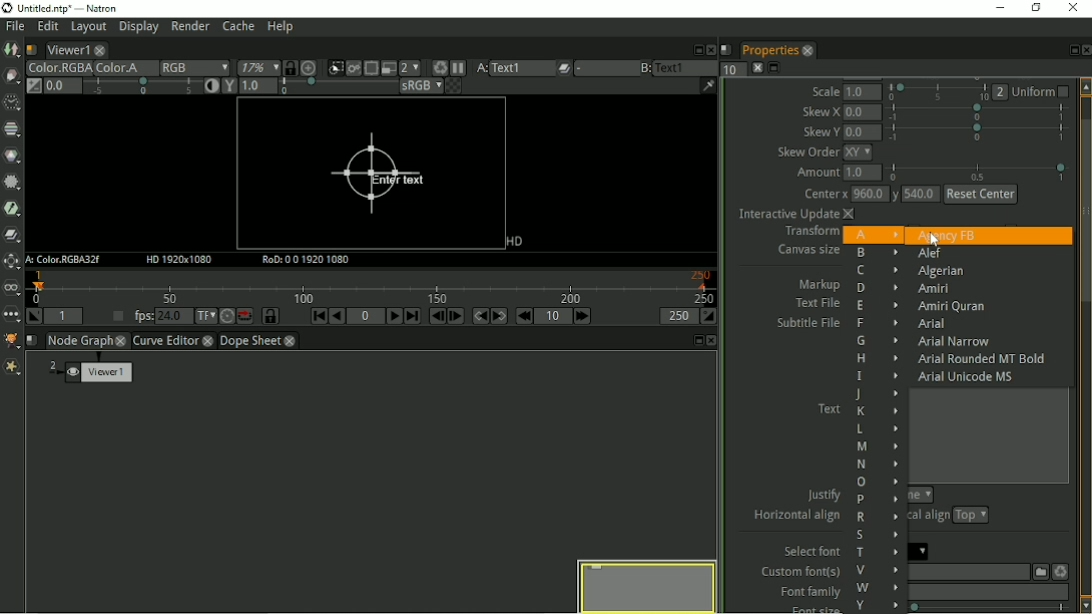  I want to click on Text, so click(828, 407).